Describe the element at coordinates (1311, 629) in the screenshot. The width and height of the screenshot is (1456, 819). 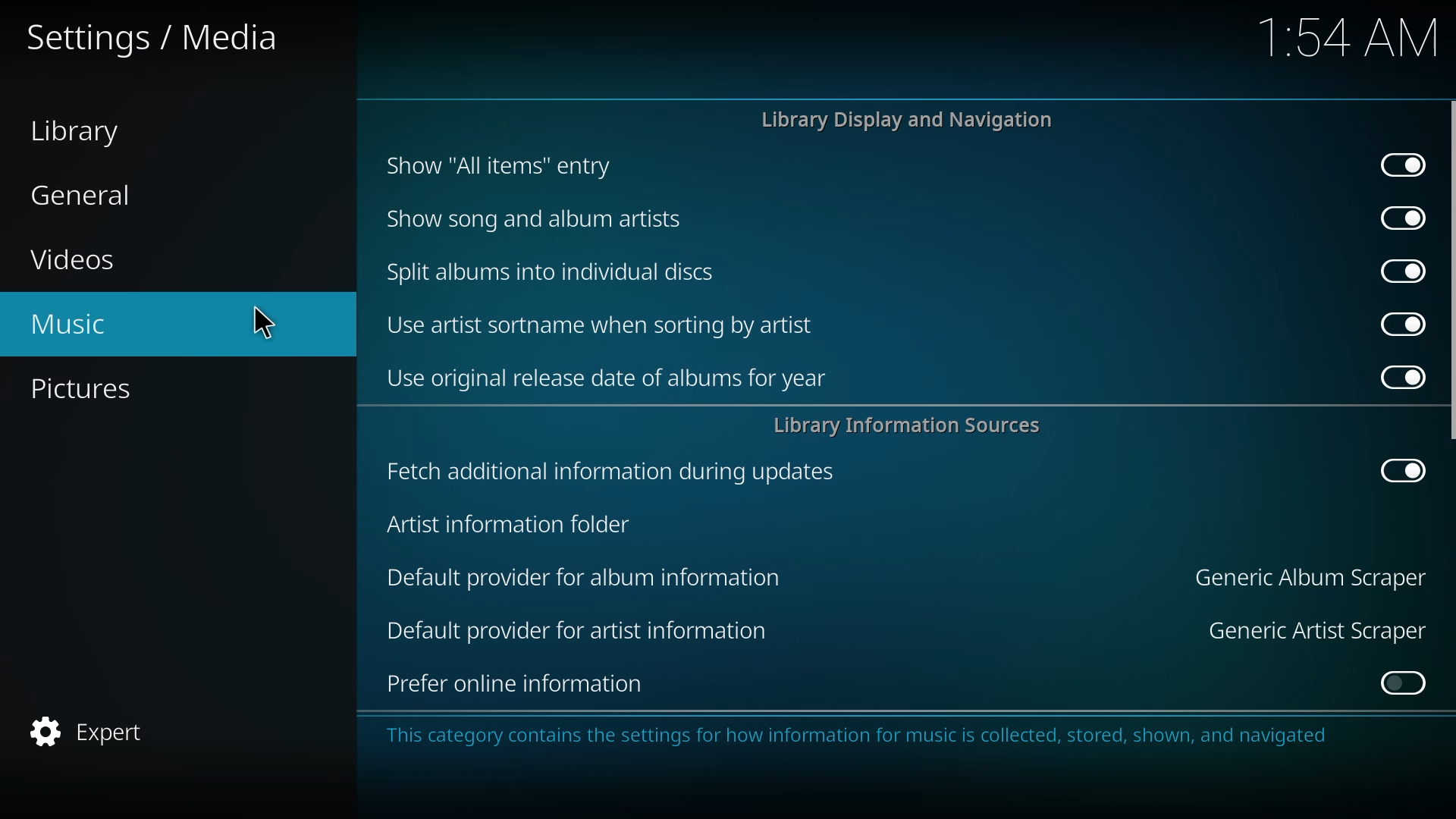
I see `generic` at that location.